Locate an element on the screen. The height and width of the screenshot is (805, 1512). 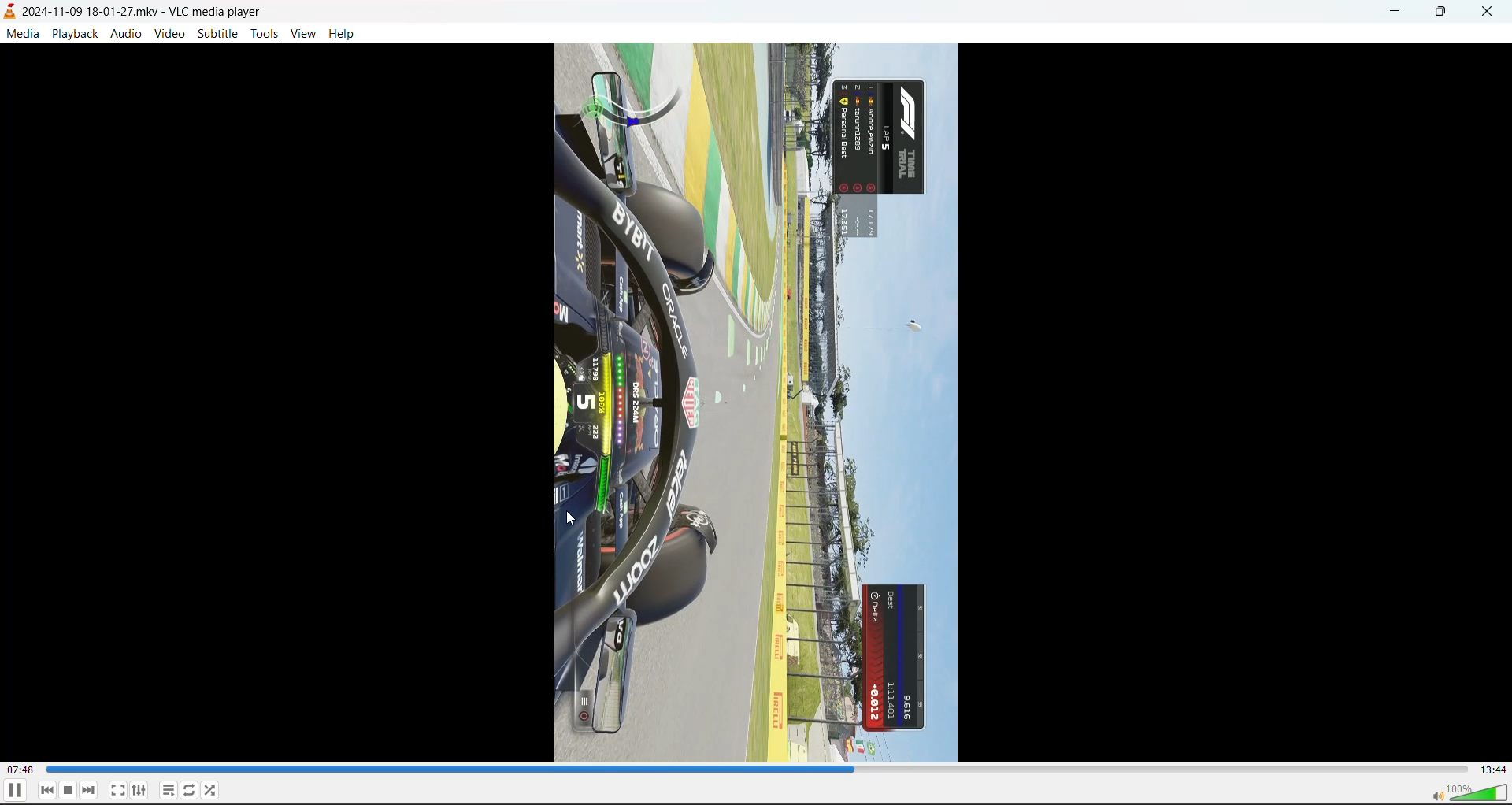
close is located at coordinates (1492, 9).